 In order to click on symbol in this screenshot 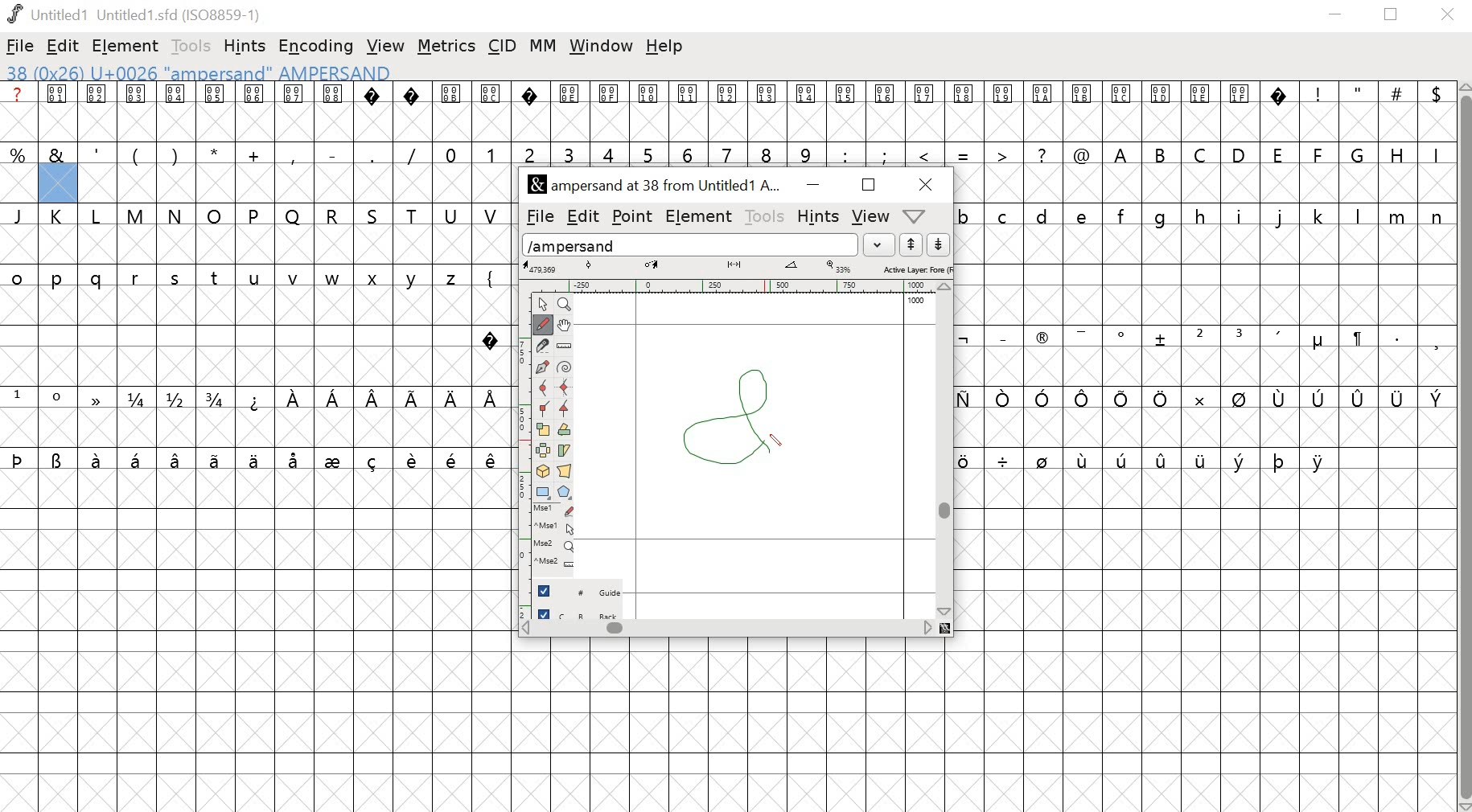, I will do `click(177, 459)`.